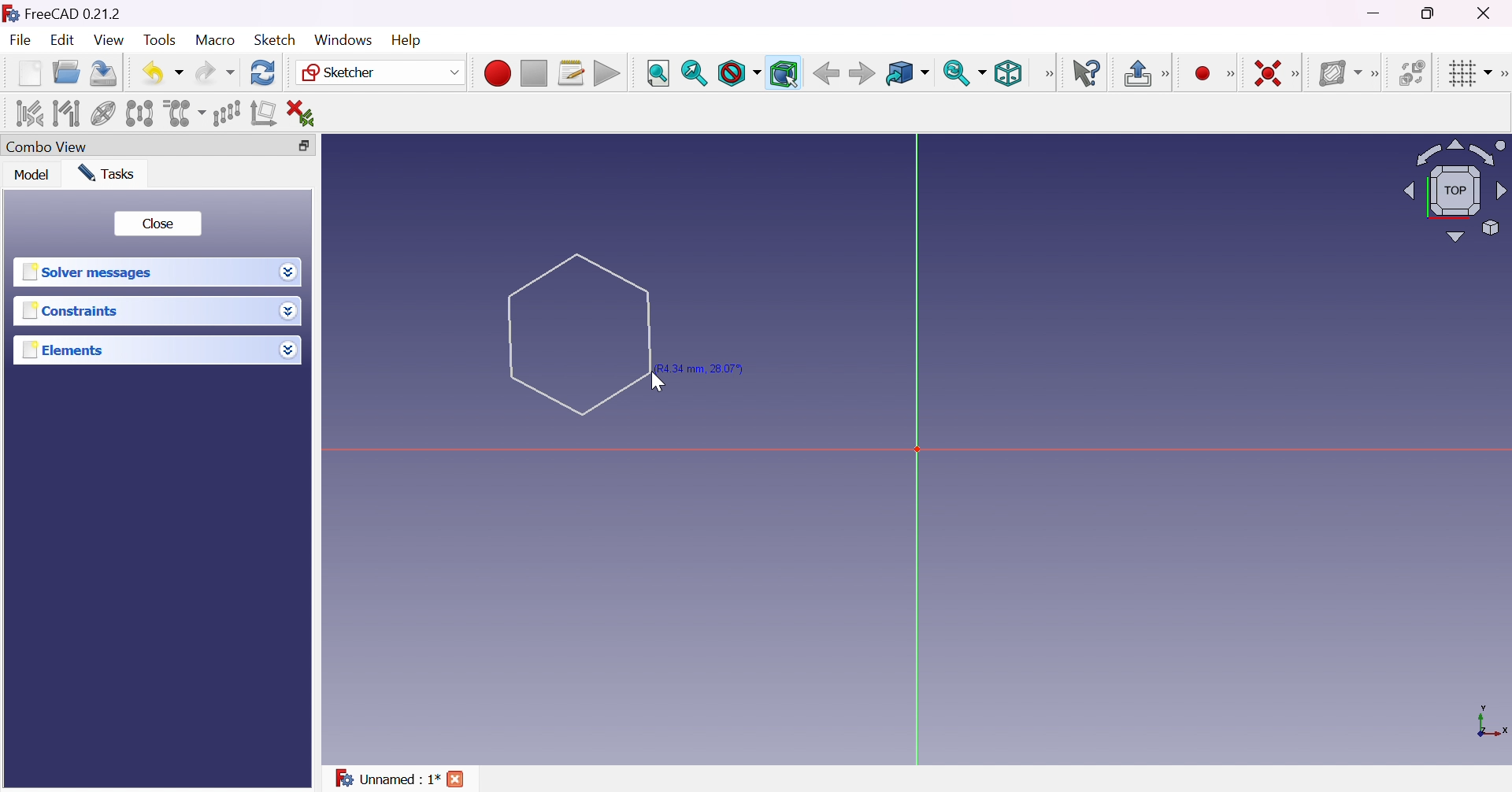  I want to click on Constraints, so click(75, 310).